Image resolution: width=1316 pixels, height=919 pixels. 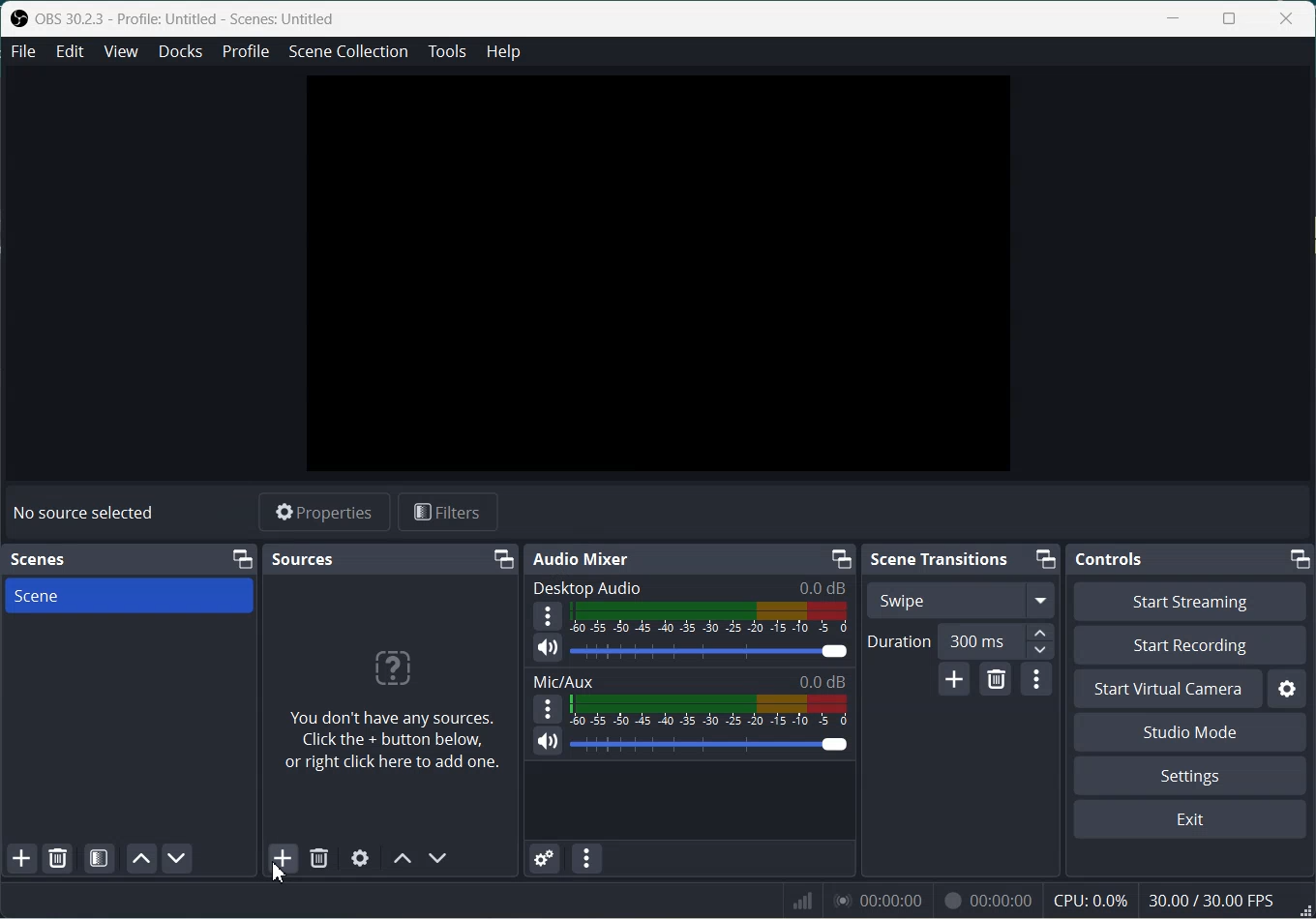 What do you see at coordinates (1213, 900) in the screenshot?
I see `30.00 / 30.00 FPS` at bounding box center [1213, 900].